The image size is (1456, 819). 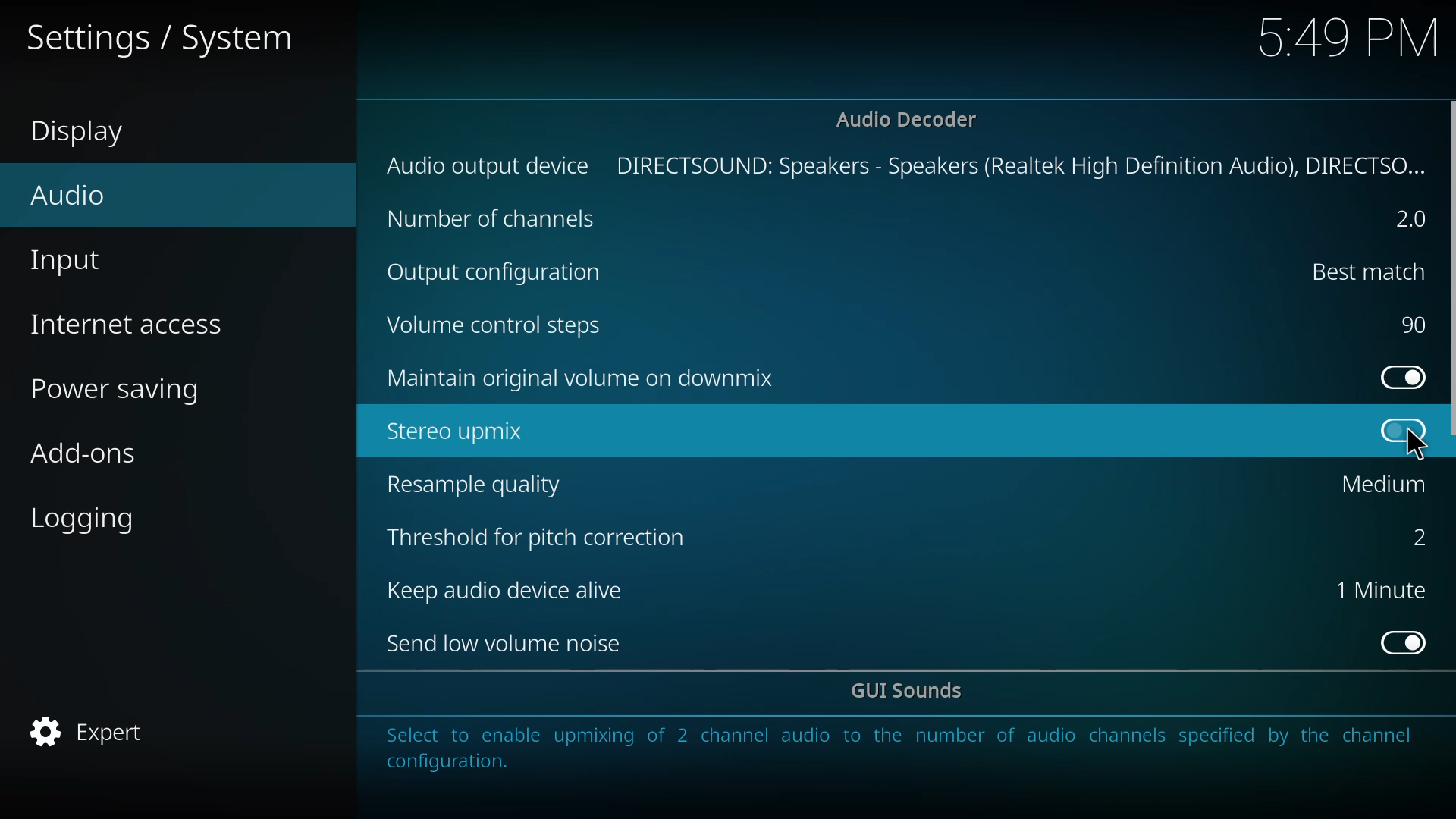 I want to click on power saving, so click(x=121, y=391).